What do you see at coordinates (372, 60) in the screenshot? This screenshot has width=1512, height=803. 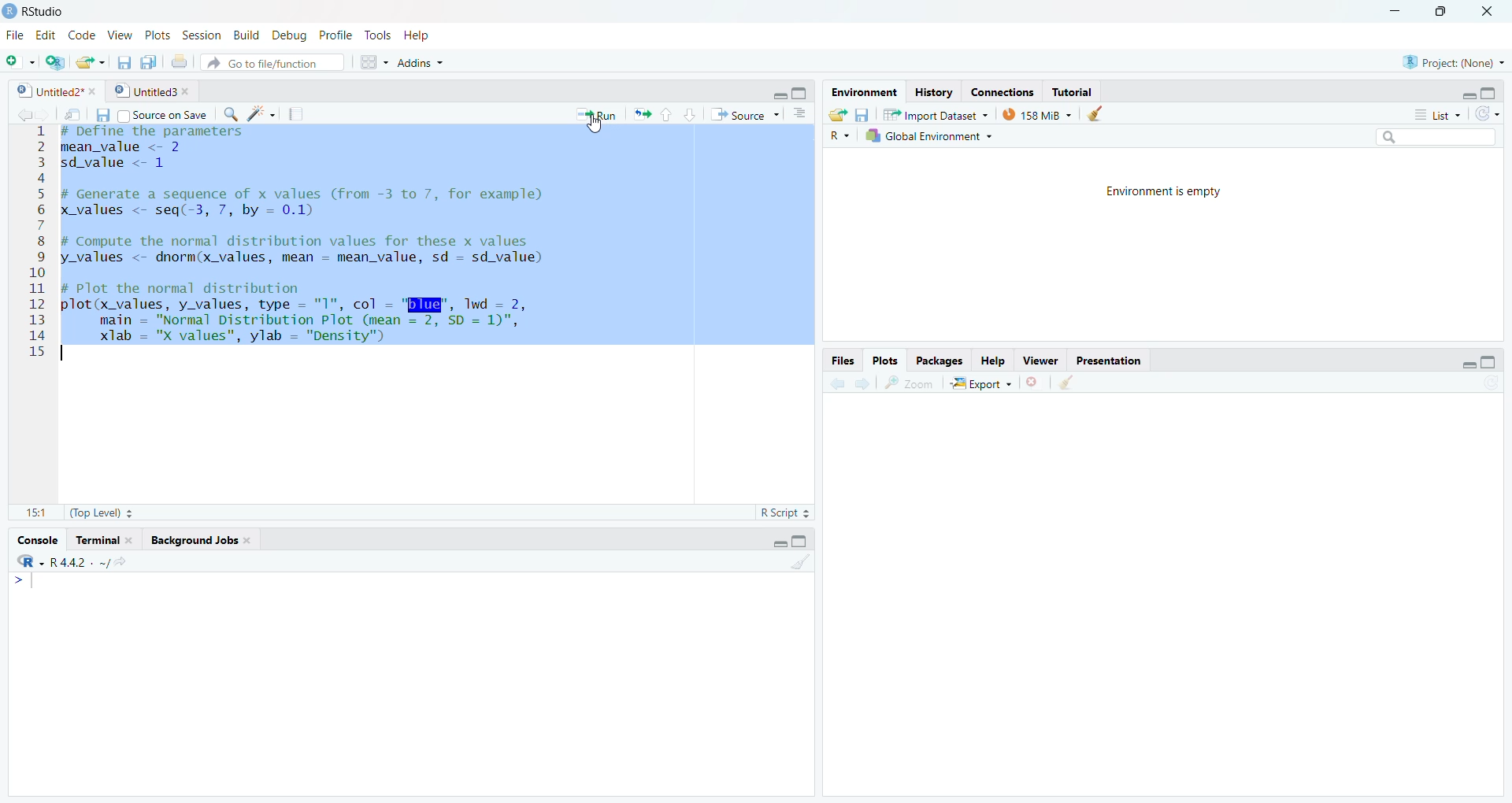 I see `` at bounding box center [372, 60].